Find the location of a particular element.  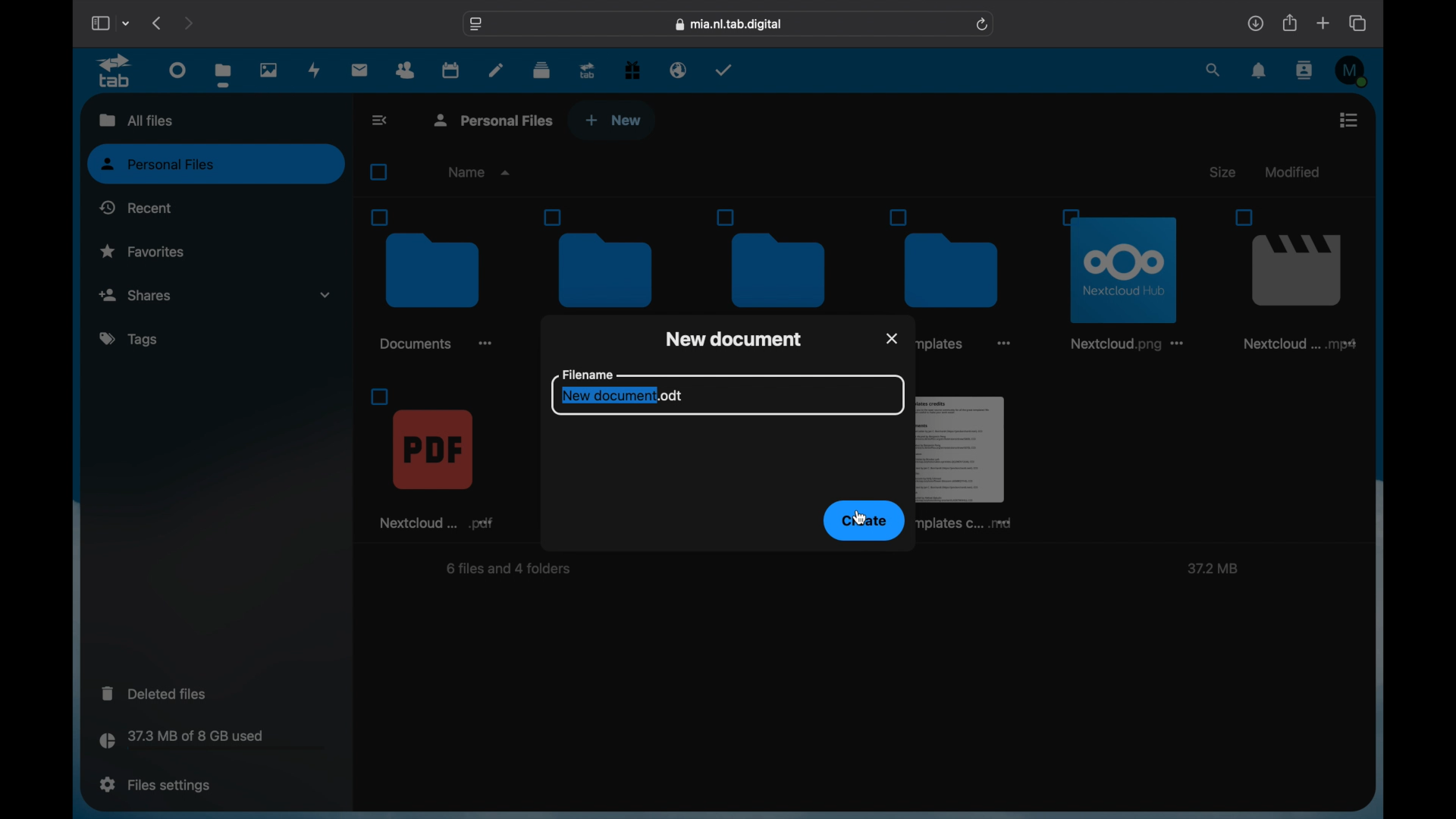

shares is located at coordinates (215, 295).